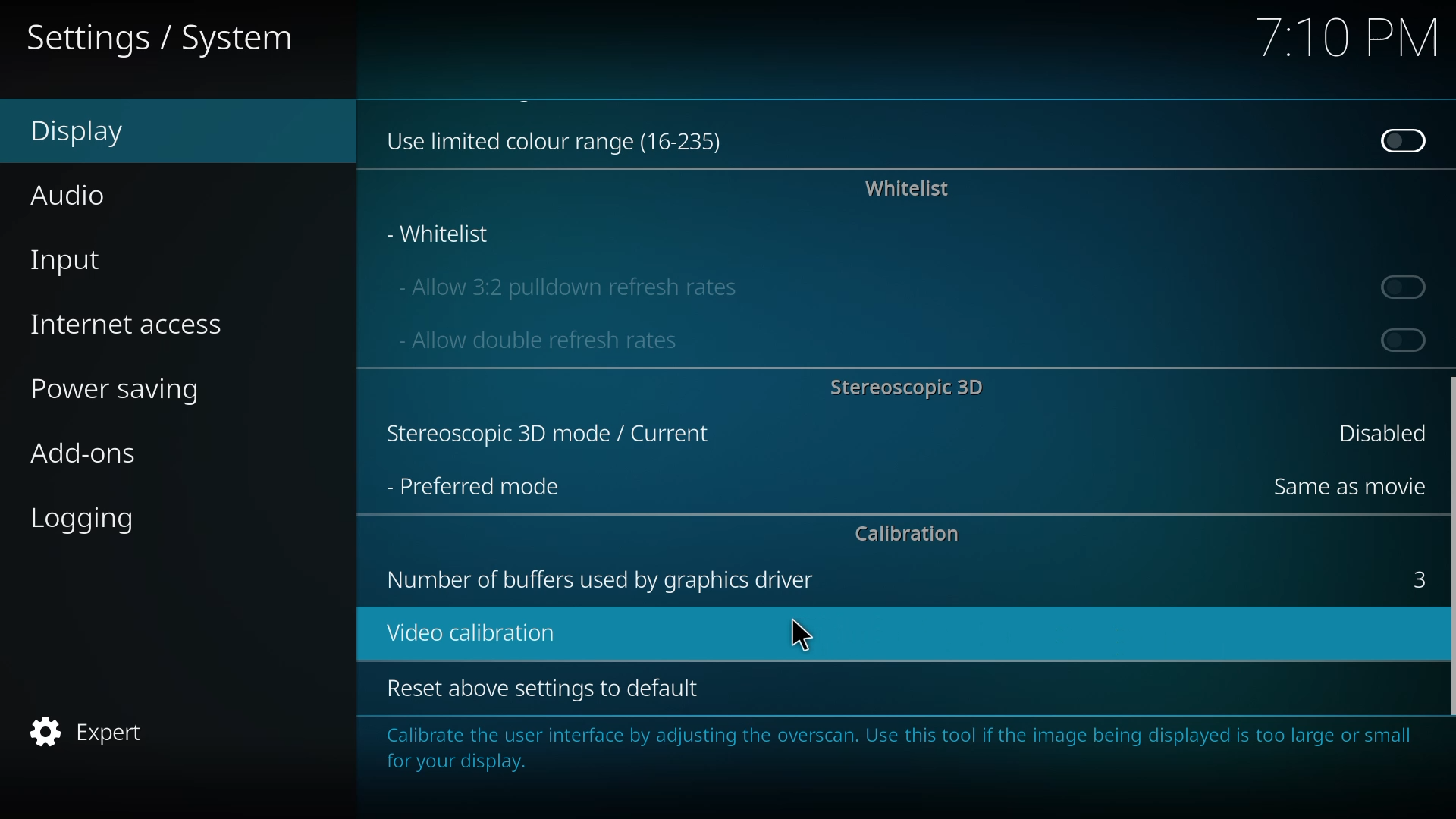 This screenshot has width=1456, height=819. Describe the element at coordinates (793, 636) in the screenshot. I see `cursor` at that location.